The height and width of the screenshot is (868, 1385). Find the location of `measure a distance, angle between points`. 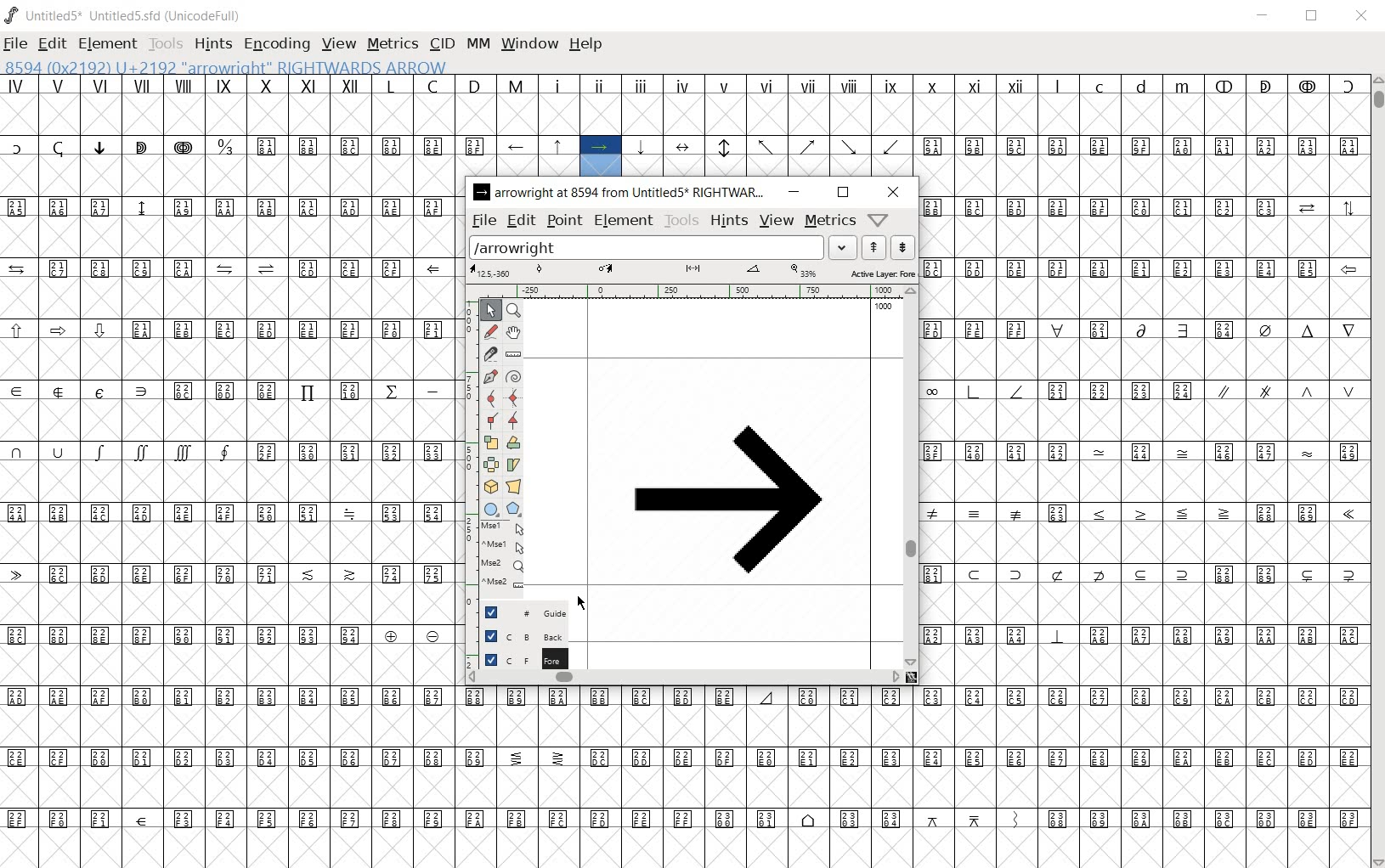

measure a distance, angle between points is located at coordinates (512, 356).